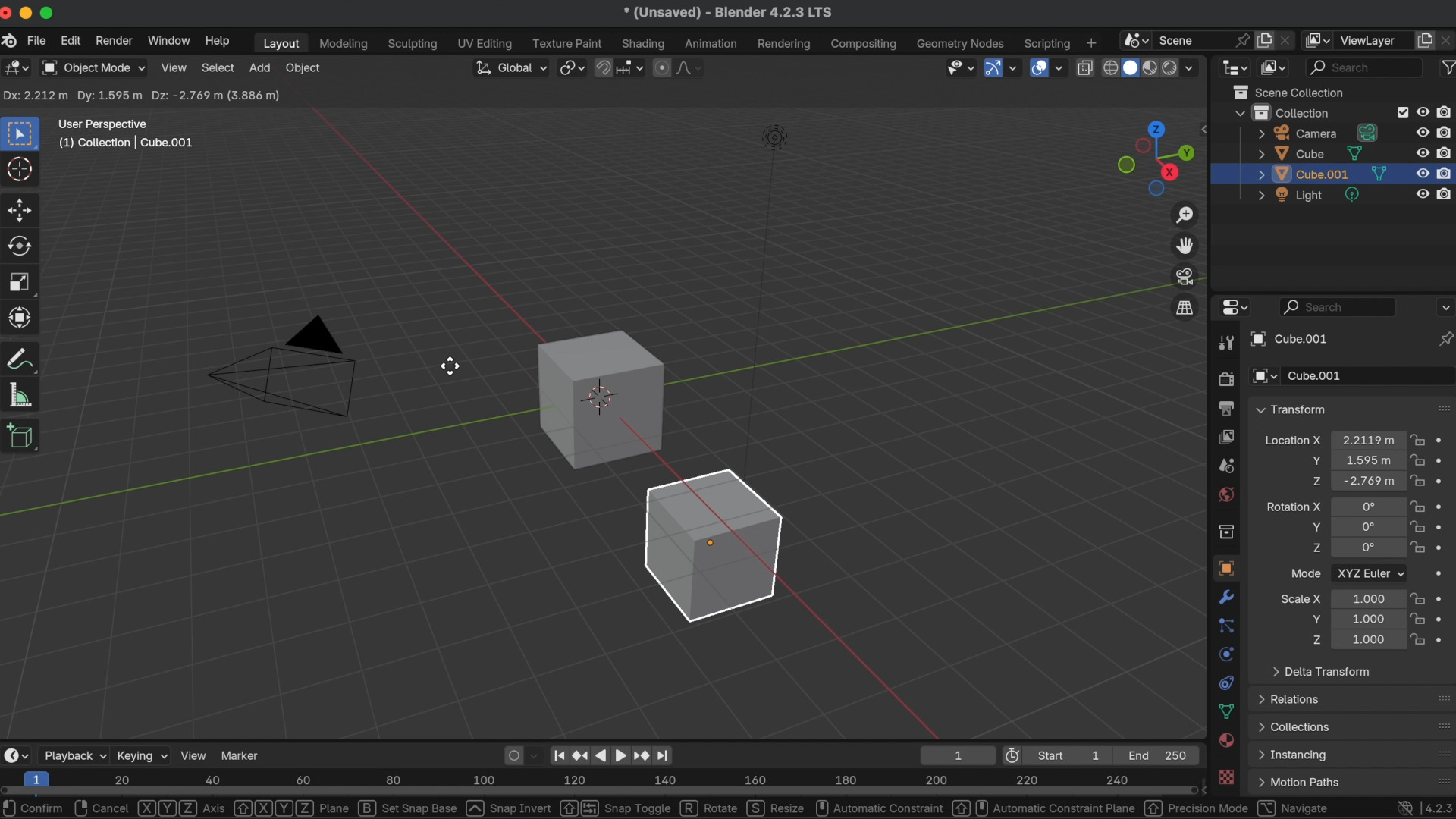 The height and width of the screenshot is (819, 1456). Describe the element at coordinates (1365, 67) in the screenshot. I see `display filter` at that location.